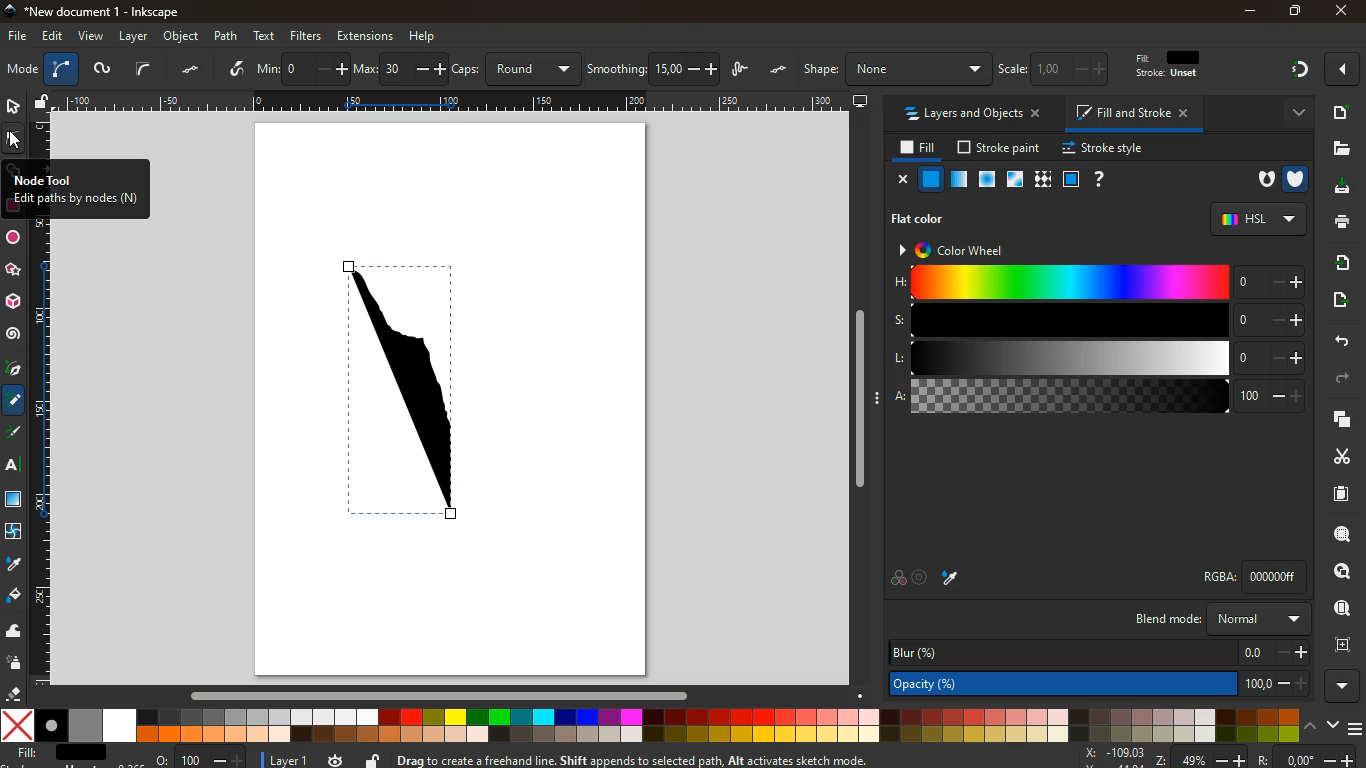  Describe the element at coordinates (443, 694) in the screenshot. I see `horizontal slider` at that location.